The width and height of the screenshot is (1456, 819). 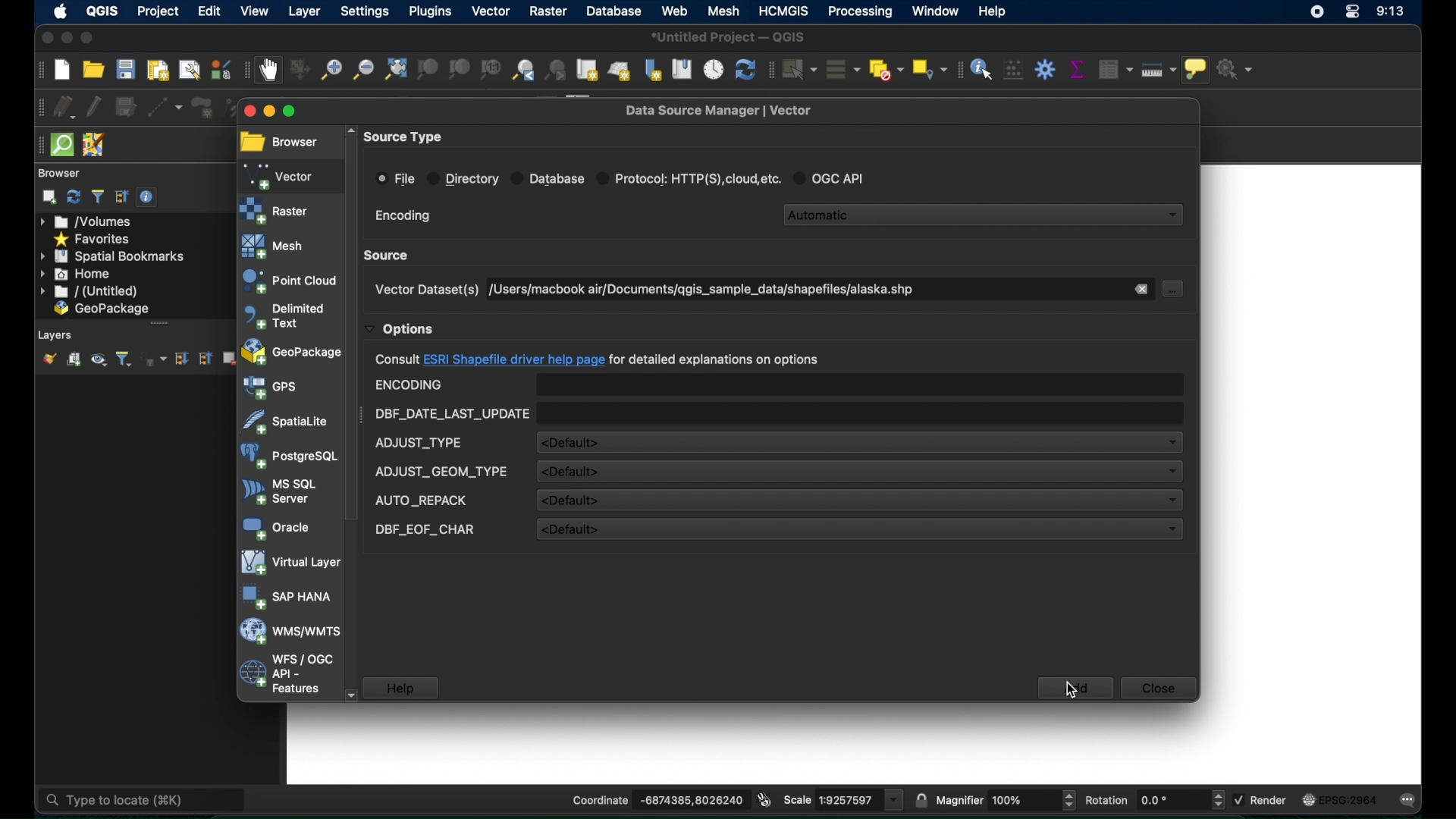 I want to click on database radio button, so click(x=548, y=177).